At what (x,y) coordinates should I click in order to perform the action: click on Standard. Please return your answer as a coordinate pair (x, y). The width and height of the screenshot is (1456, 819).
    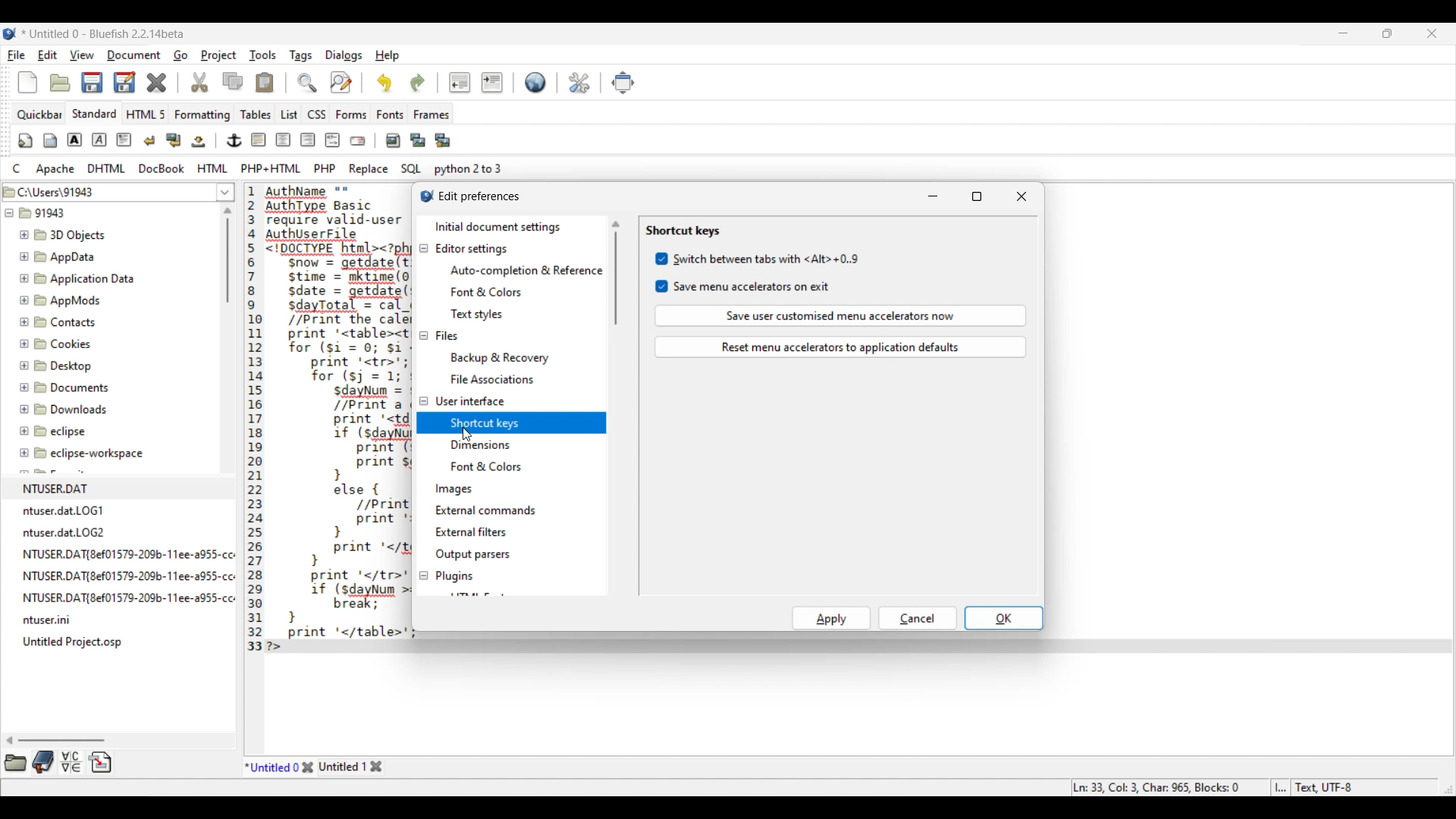
    Looking at the image, I should click on (95, 114).